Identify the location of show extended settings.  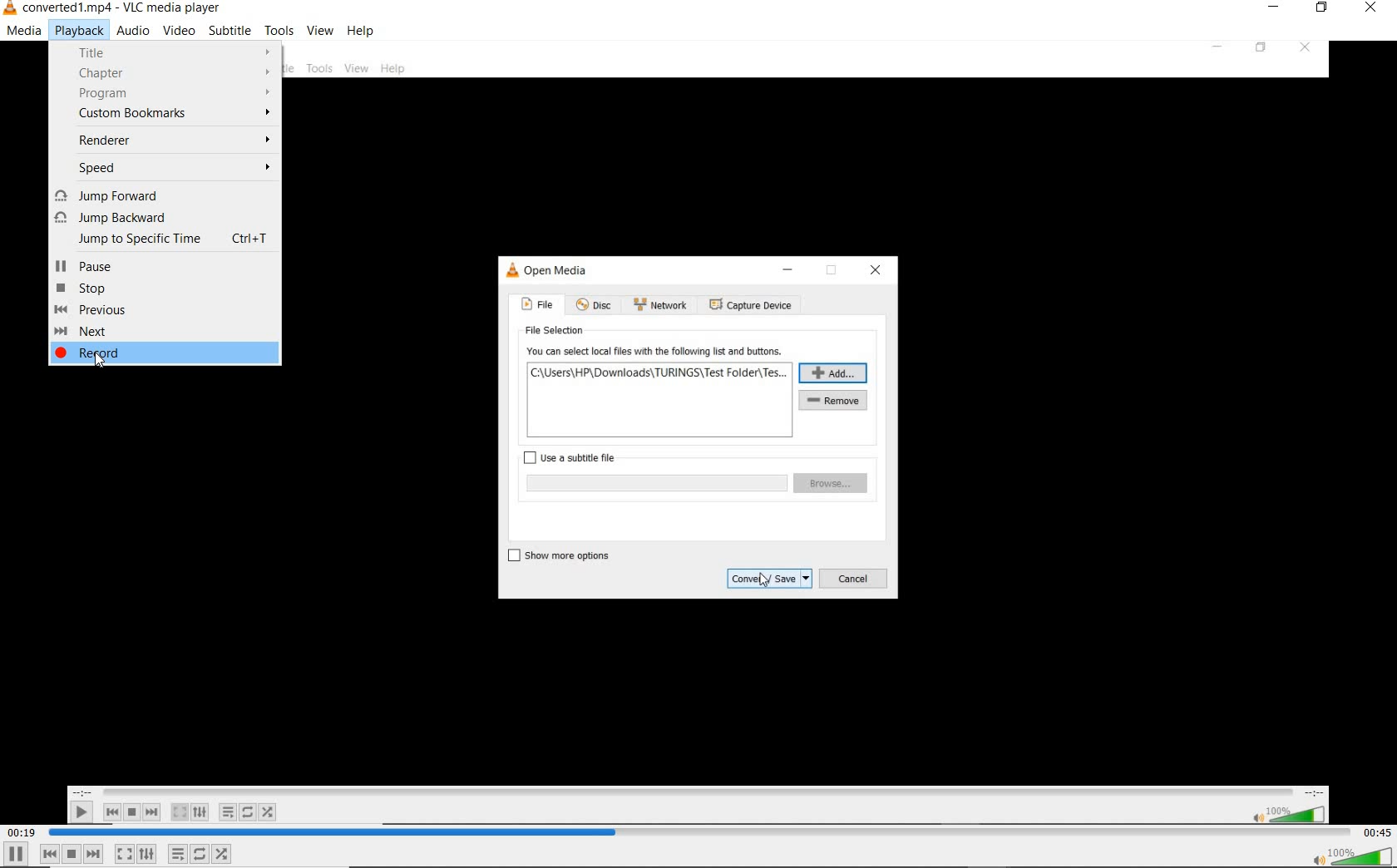
(148, 853).